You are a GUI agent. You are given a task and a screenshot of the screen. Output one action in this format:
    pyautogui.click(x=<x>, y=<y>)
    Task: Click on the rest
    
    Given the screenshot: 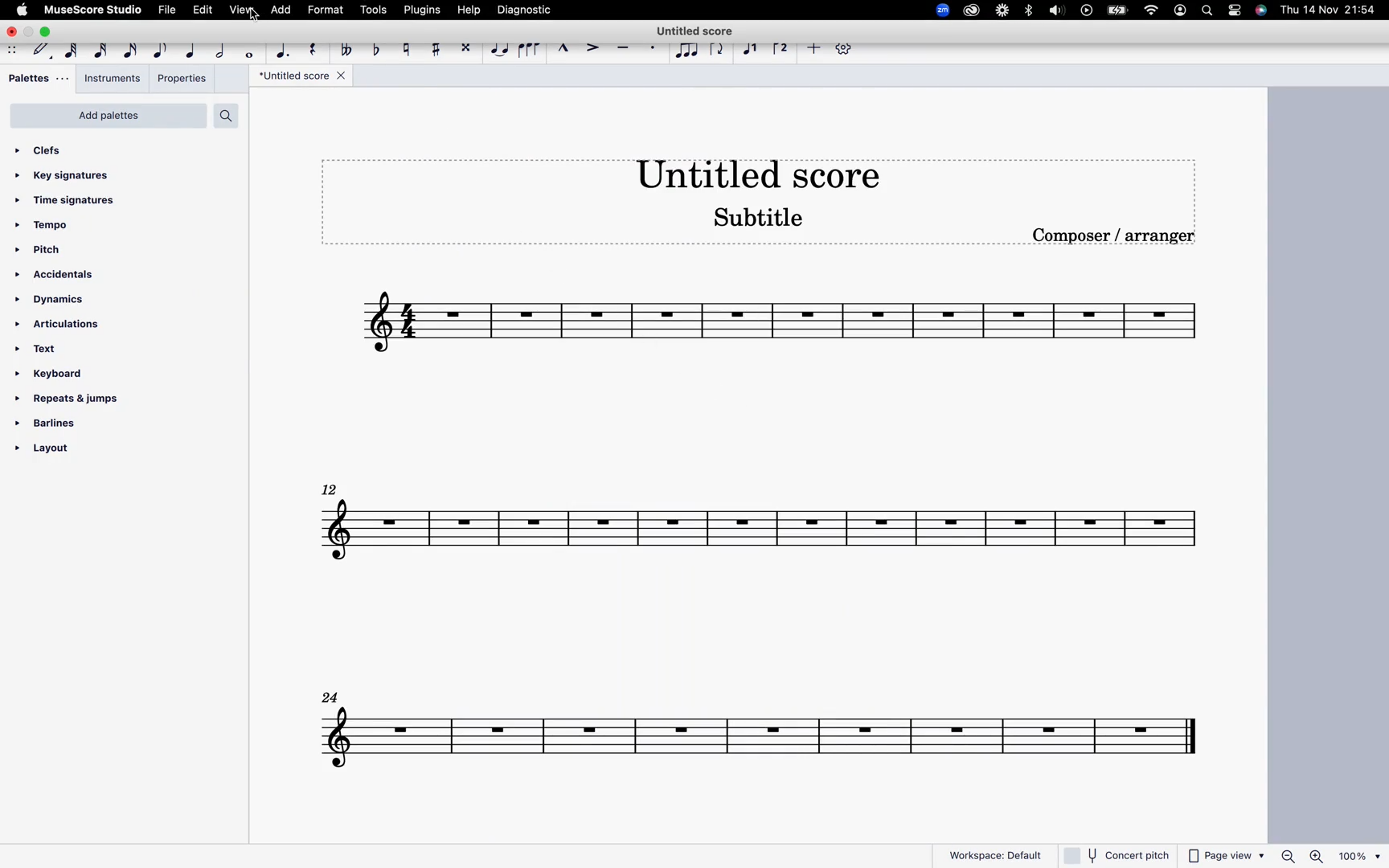 What is the action you would take?
    pyautogui.click(x=311, y=48)
    